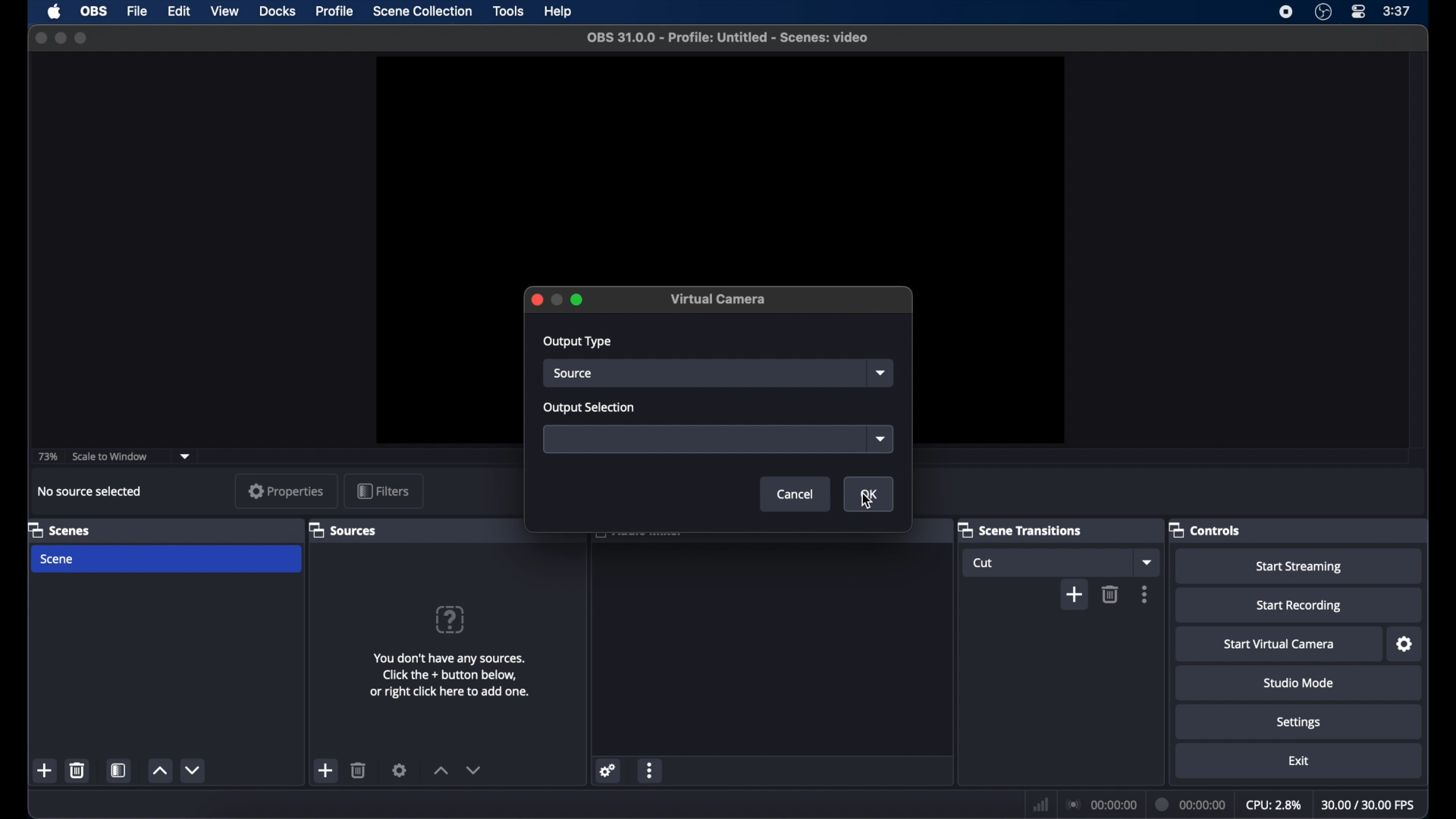 The image size is (1456, 819). Describe the element at coordinates (1298, 606) in the screenshot. I see `start recording` at that location.